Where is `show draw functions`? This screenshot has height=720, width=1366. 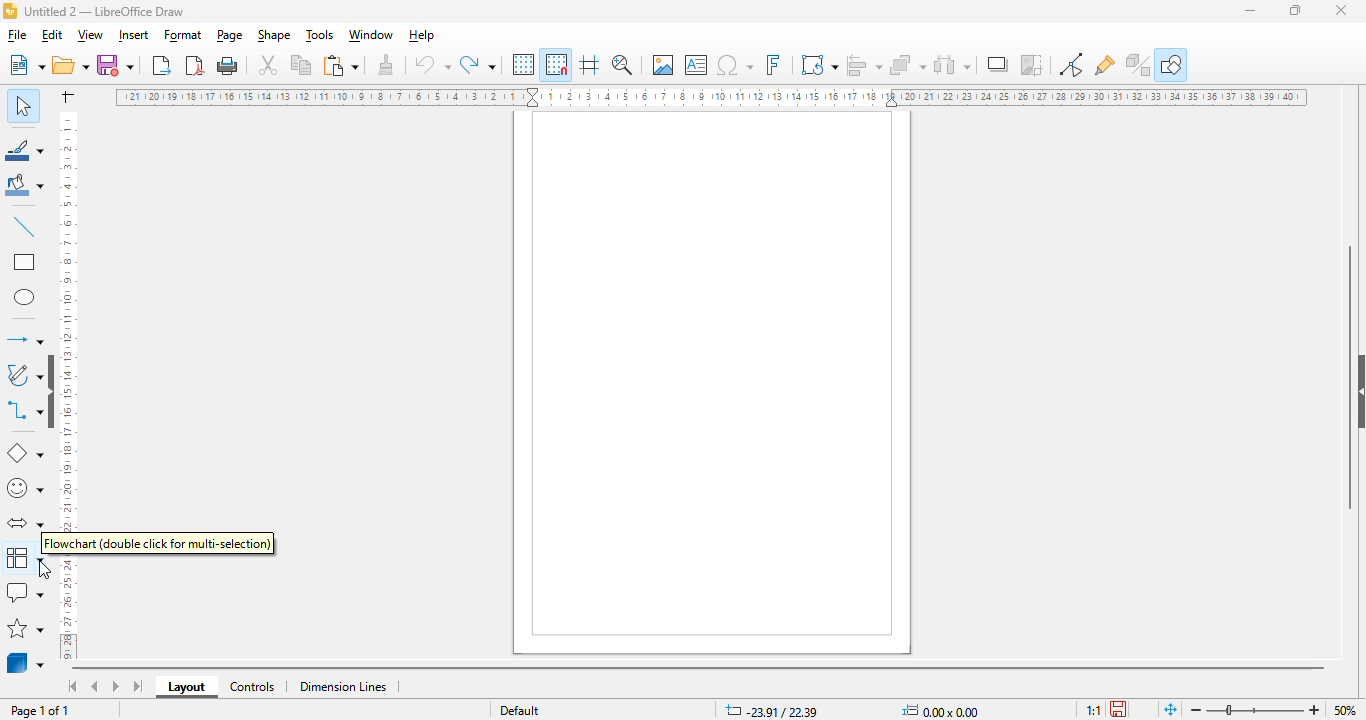
show draw functions is located at coordinates (1171, 64).